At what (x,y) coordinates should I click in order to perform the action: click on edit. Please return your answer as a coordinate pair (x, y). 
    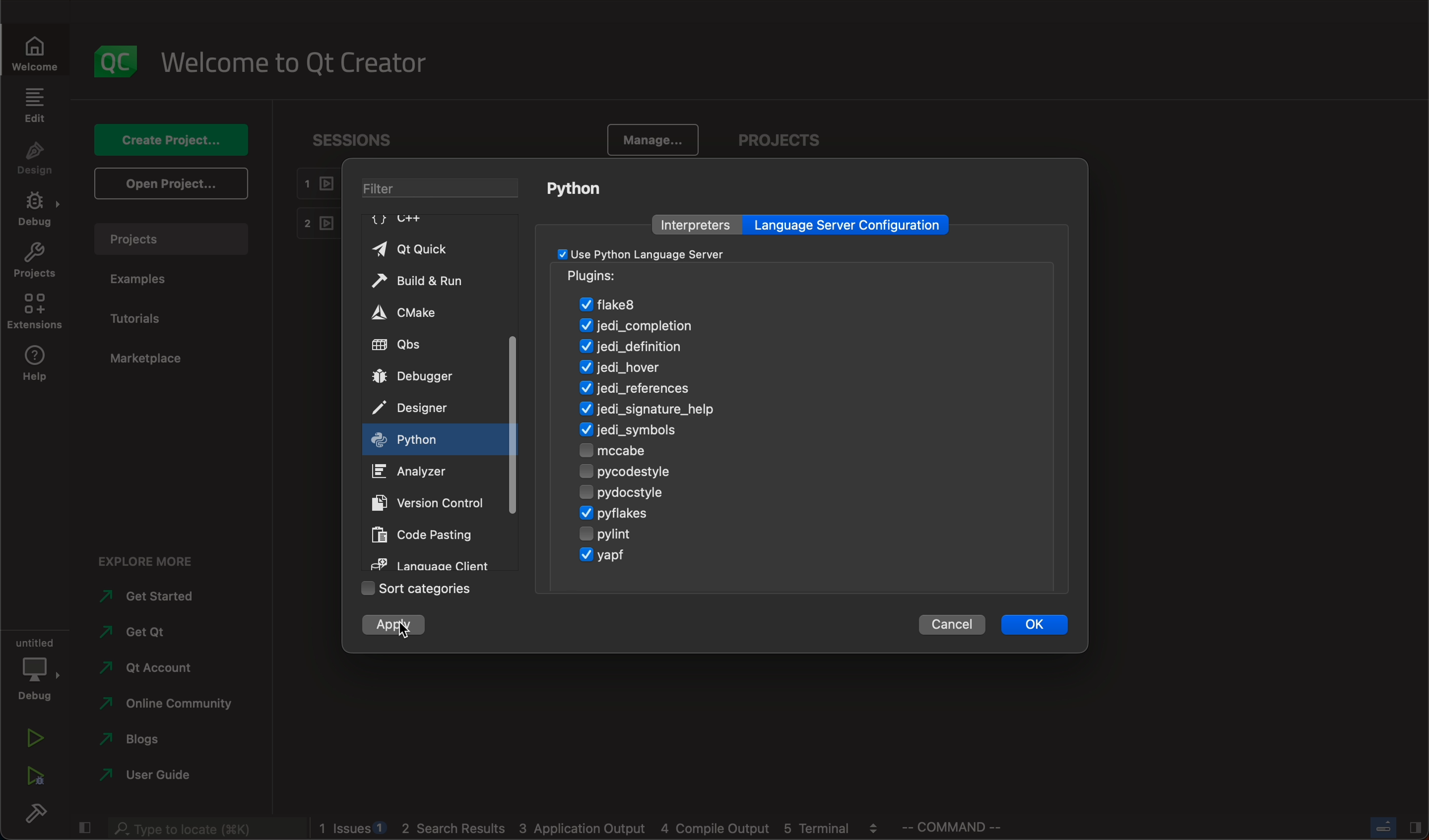
    Looking at the image, I should click on (33, 106).